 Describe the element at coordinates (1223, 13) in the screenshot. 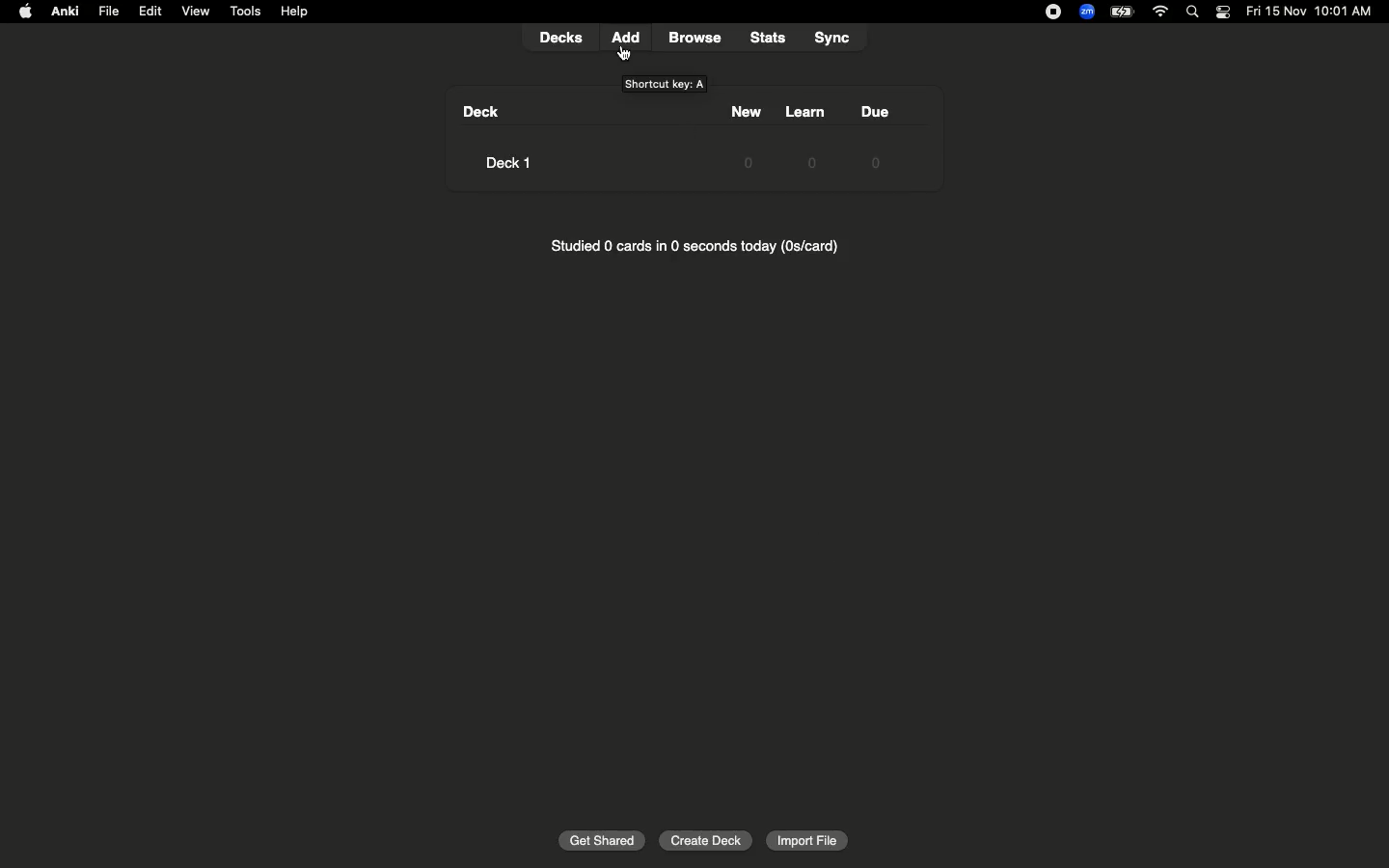

I see `Notification bar` at that location.